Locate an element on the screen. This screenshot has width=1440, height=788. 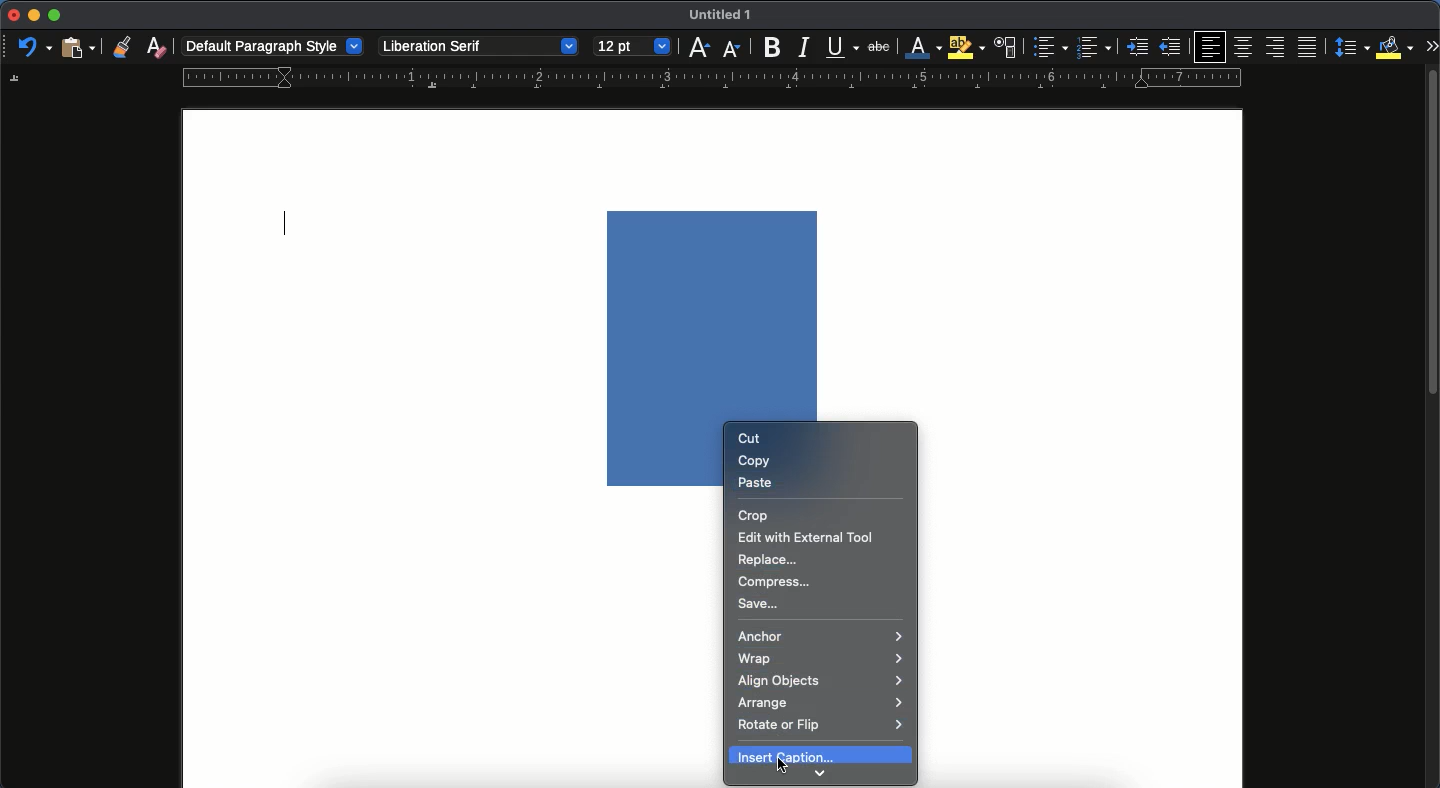
left align is located at coordinates (1208, 48).